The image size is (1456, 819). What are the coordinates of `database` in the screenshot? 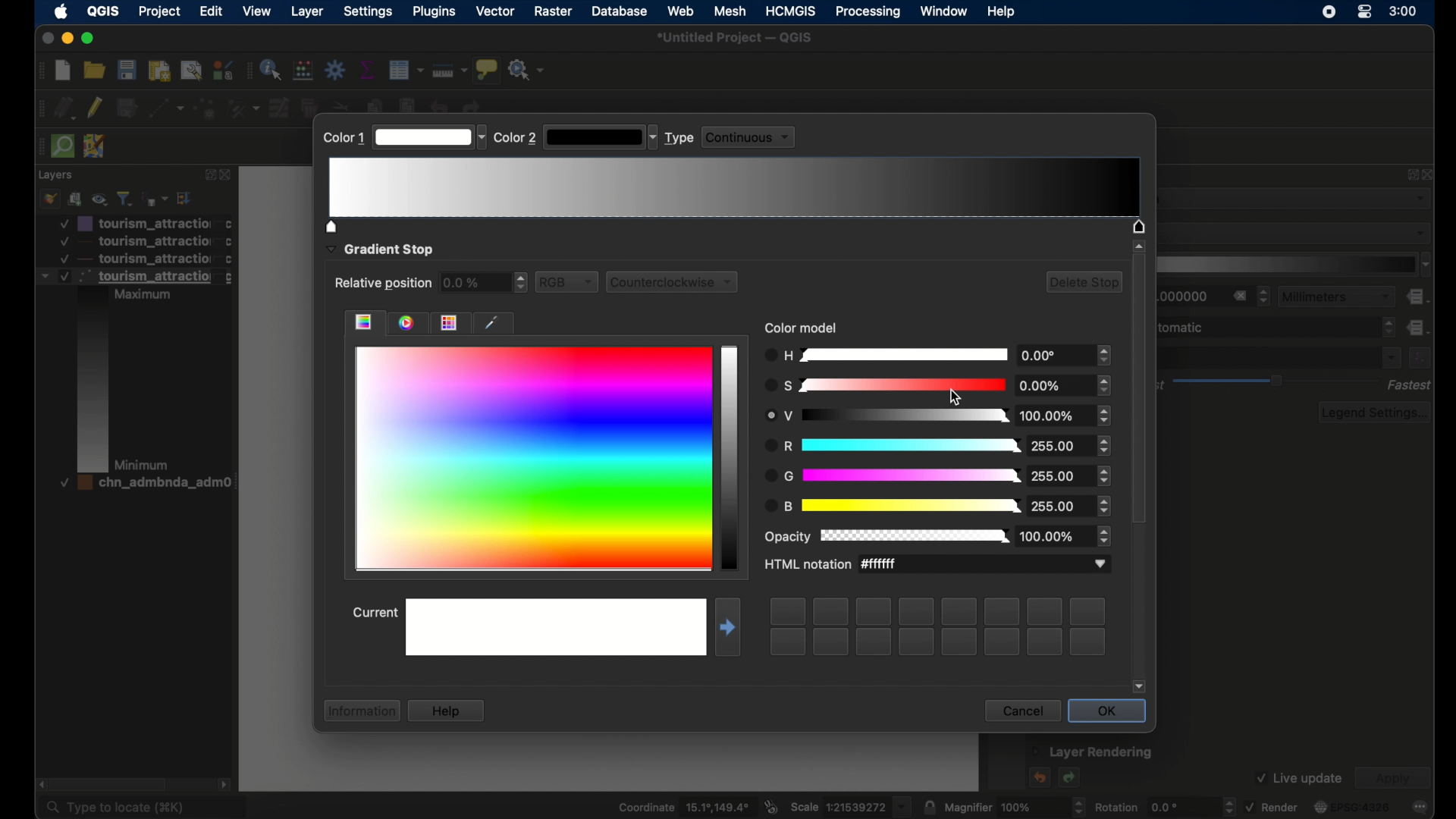 It's located at (620, 11).